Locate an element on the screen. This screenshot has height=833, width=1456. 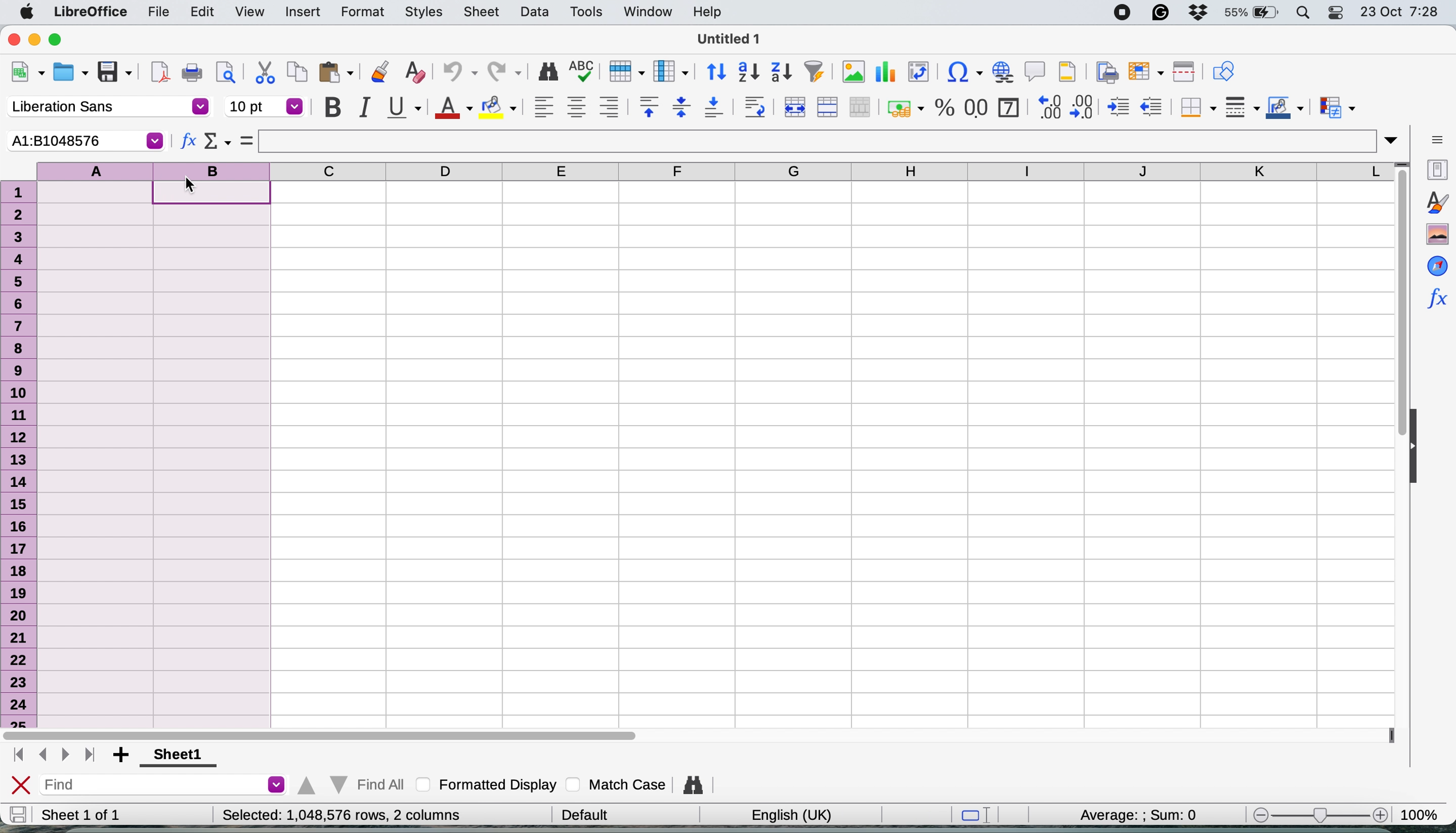
insert special characters is located at coordinates (962, 72).